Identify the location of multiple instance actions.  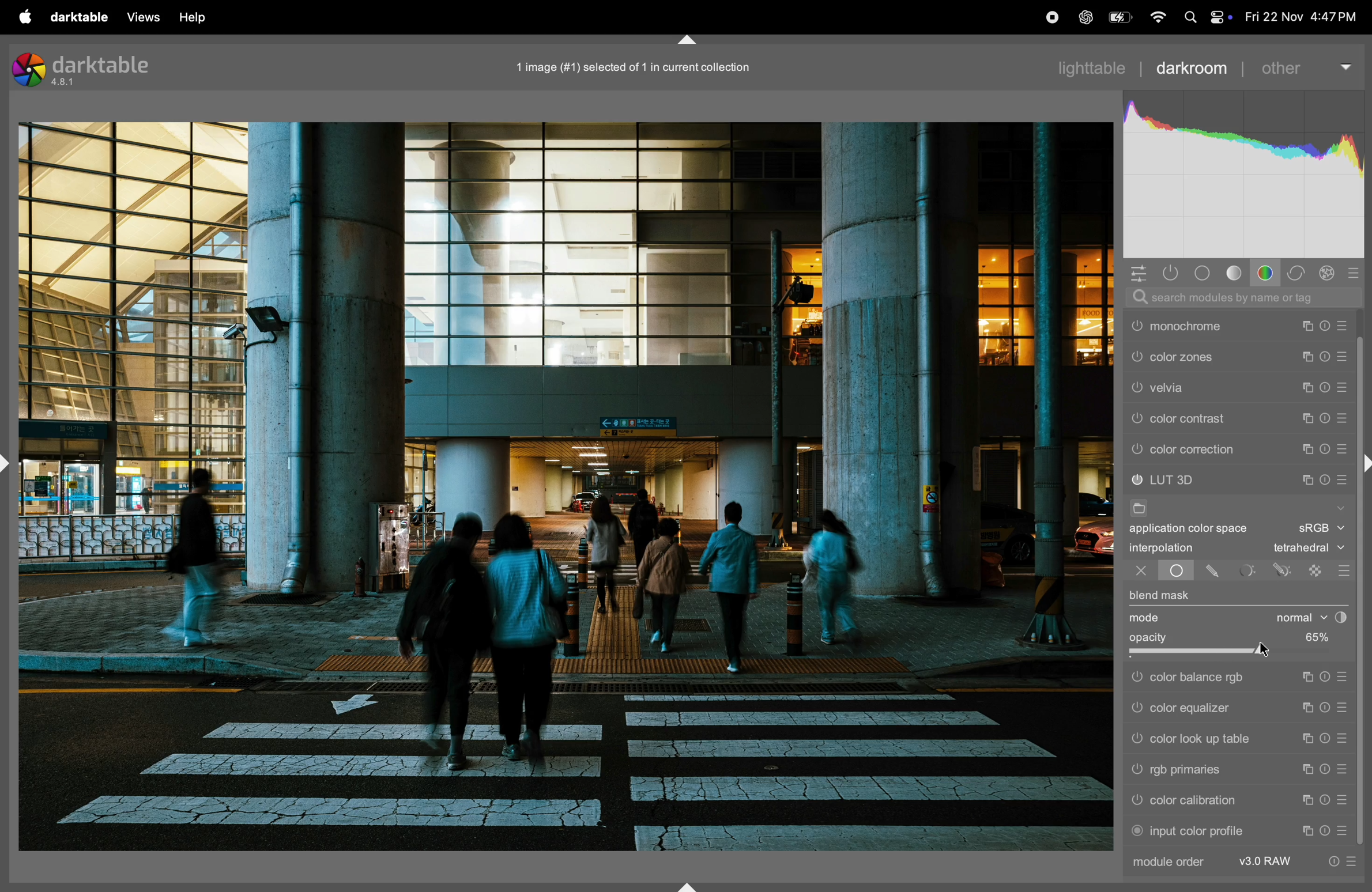
(1307, 829).